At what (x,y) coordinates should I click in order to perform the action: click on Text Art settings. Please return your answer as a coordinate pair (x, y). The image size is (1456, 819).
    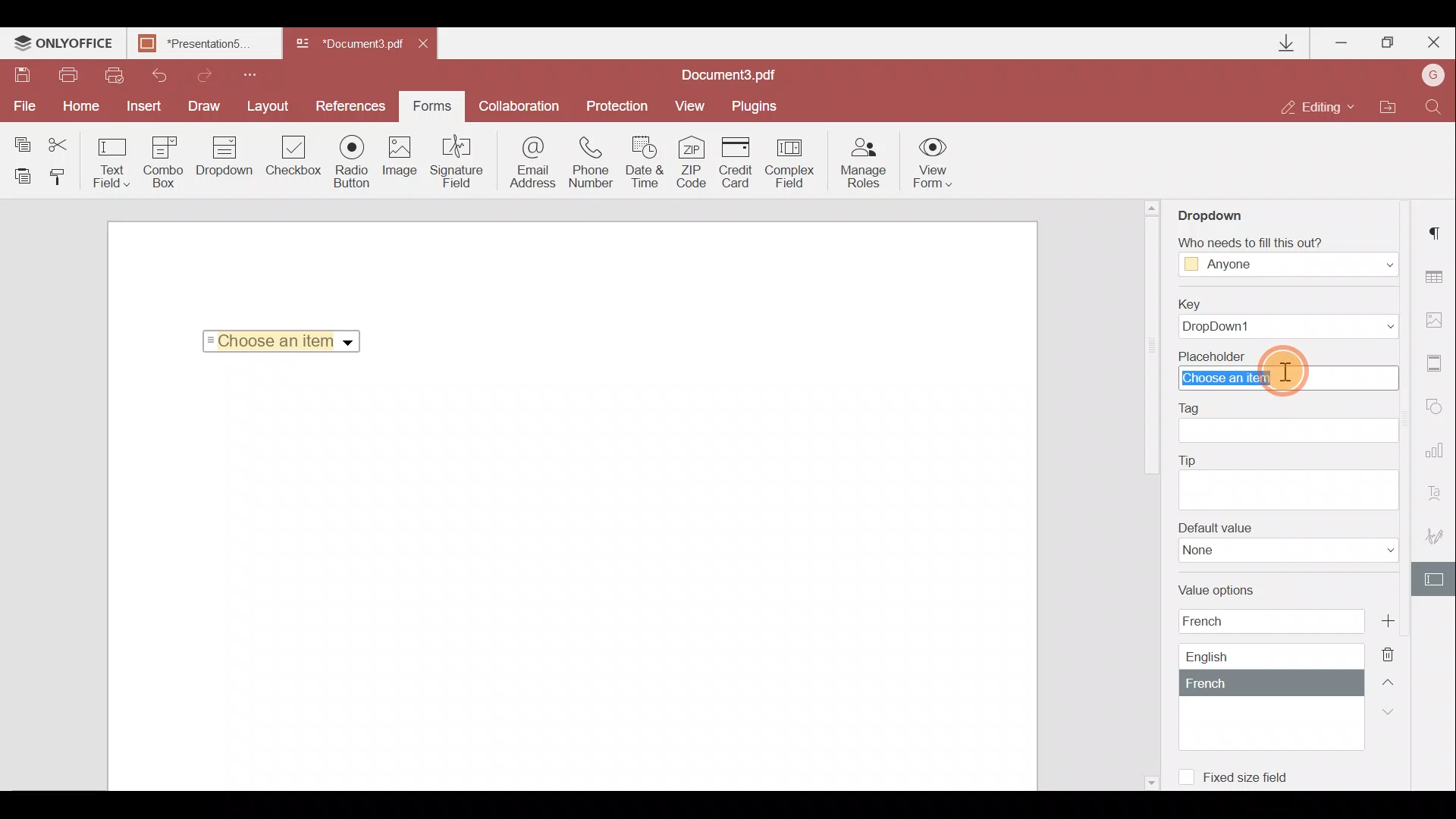
    Looking at the image, I should click on (1439, 497).